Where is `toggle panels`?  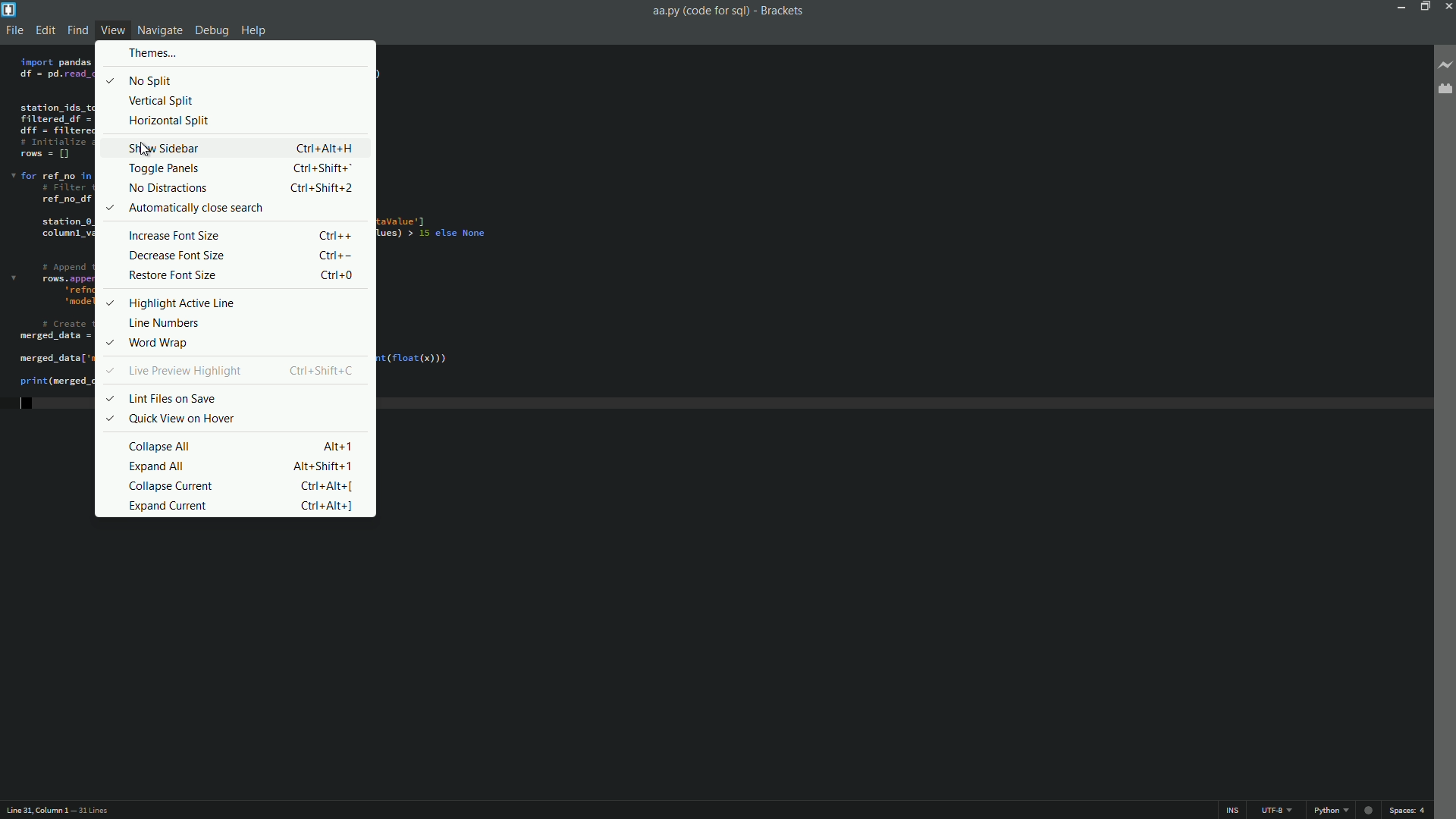 toggle panels is located at coordinates (243, 170).